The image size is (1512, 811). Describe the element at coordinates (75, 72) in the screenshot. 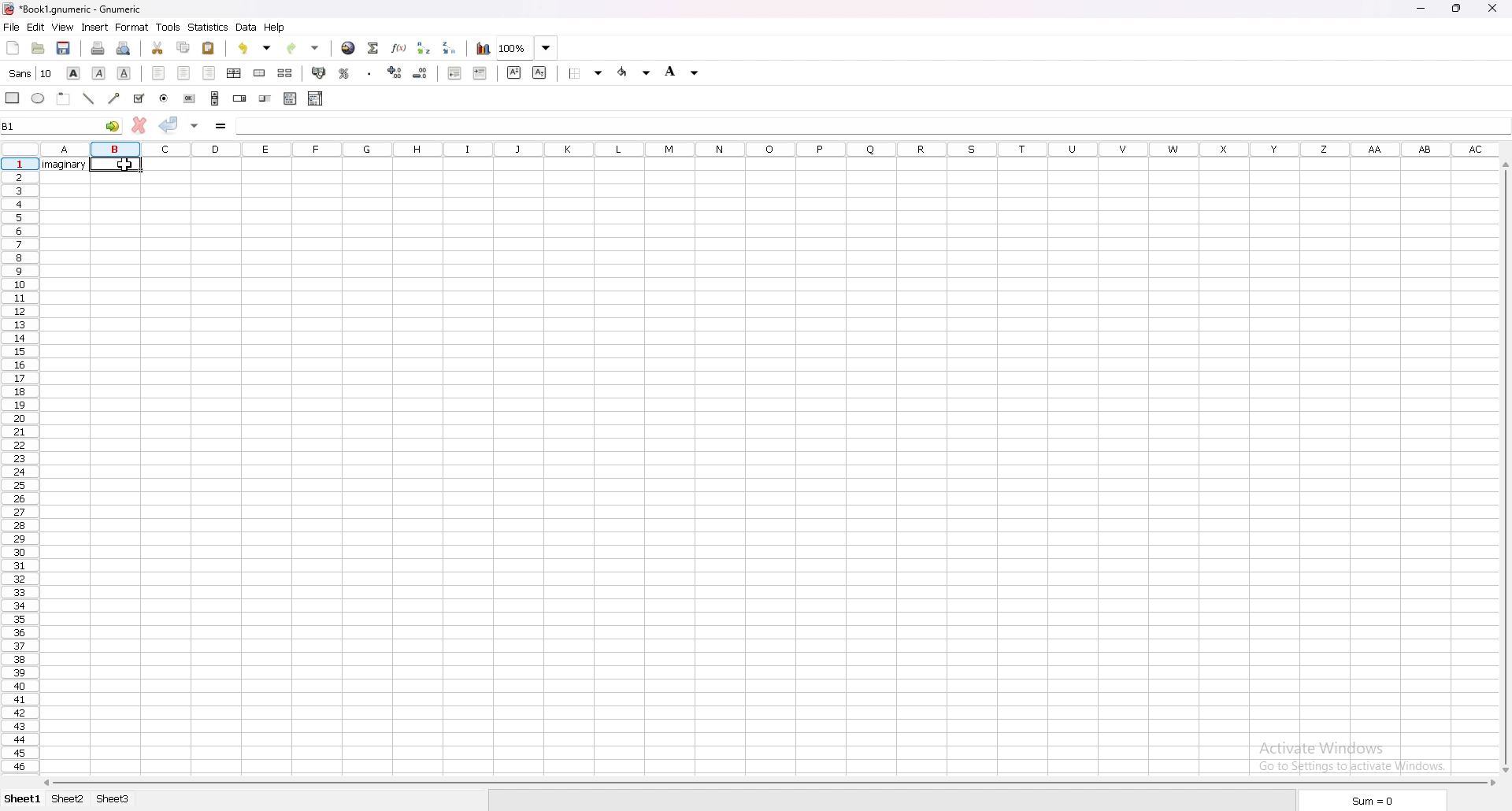

I see `bold` at that location.